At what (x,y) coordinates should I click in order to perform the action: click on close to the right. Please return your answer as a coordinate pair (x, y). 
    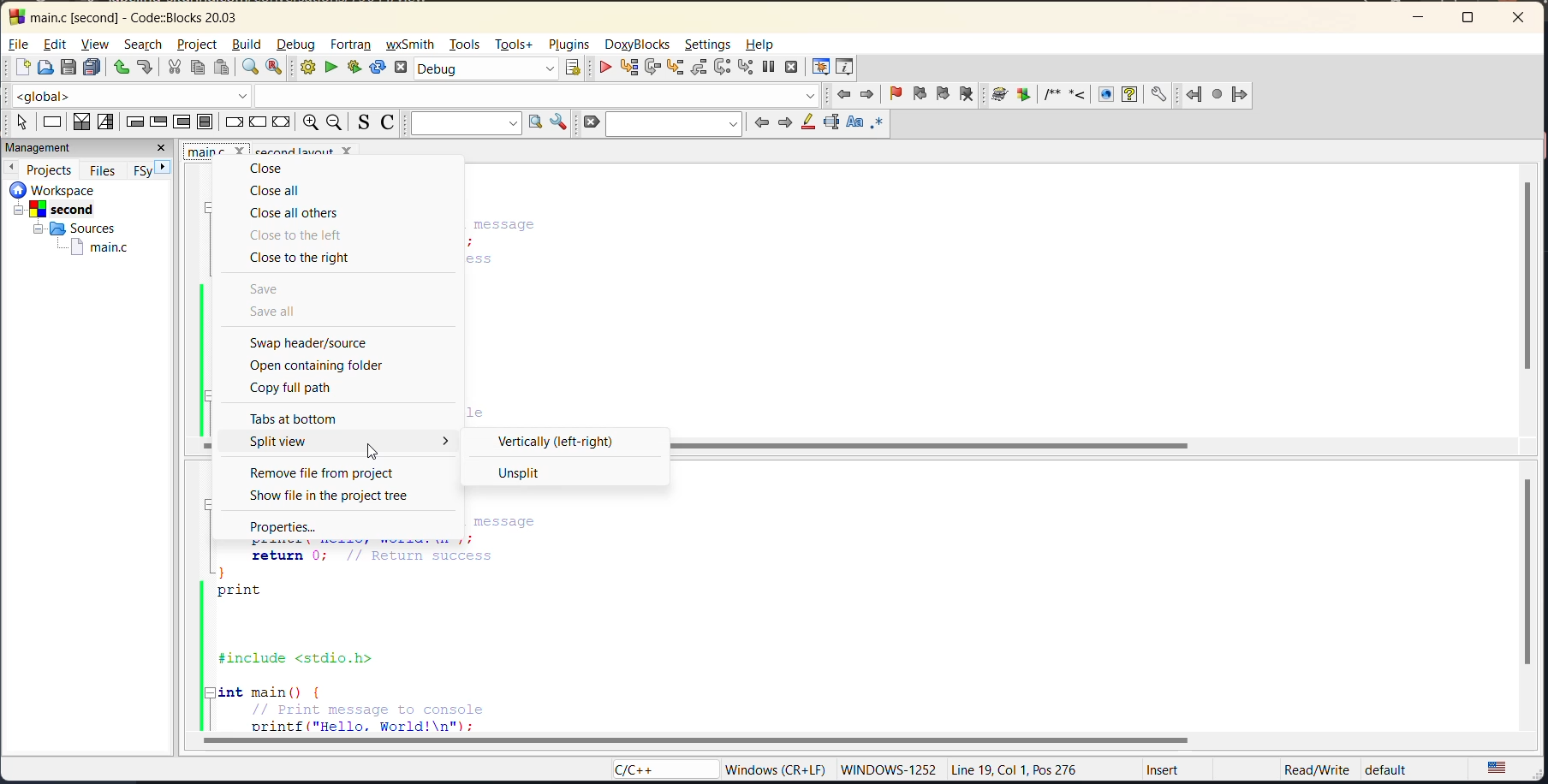
    Looking at the image, I should click on (304, 258).